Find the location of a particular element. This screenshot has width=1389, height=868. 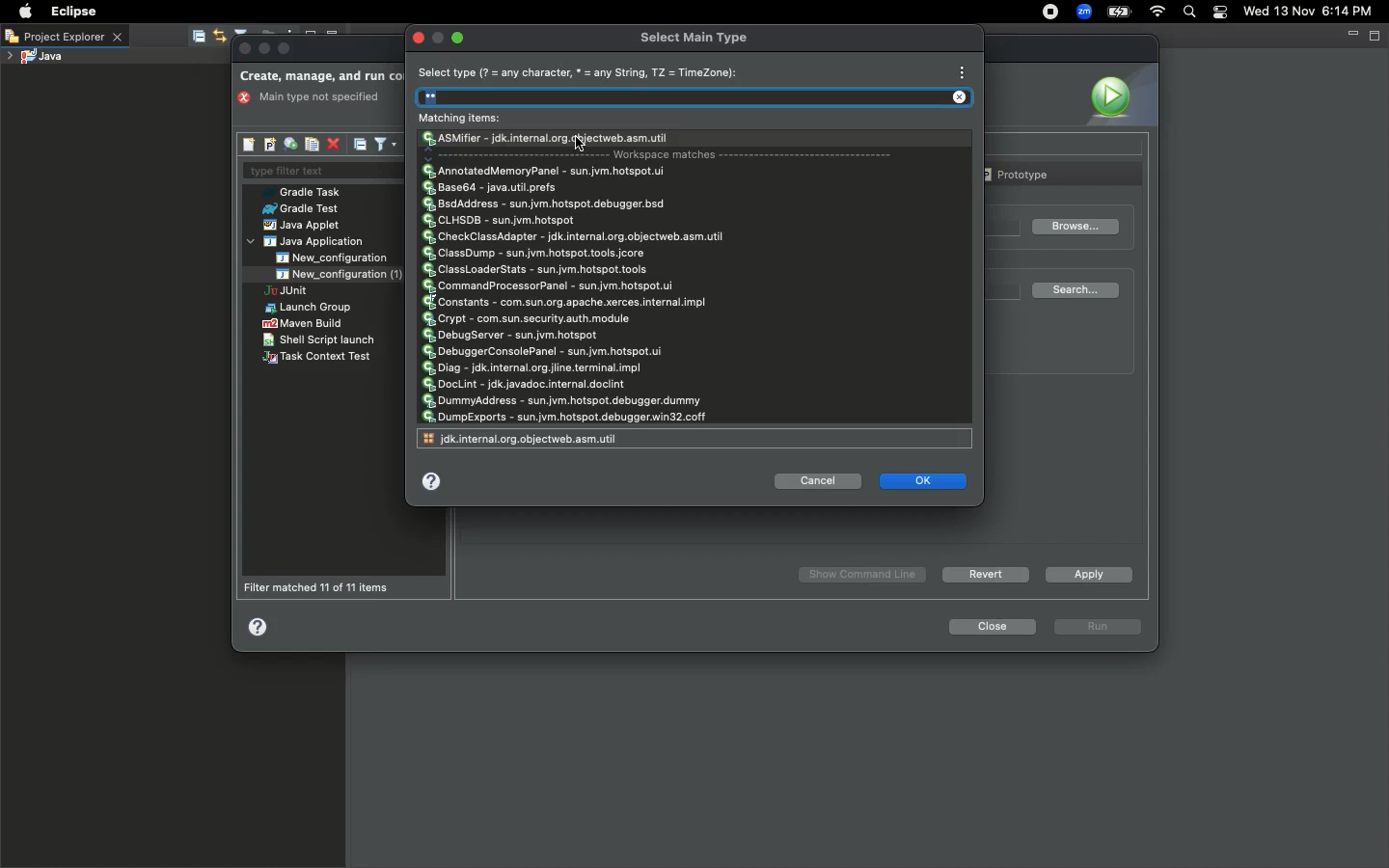

Filter matched 11 of 11 items is located at coordinates (322, 587).